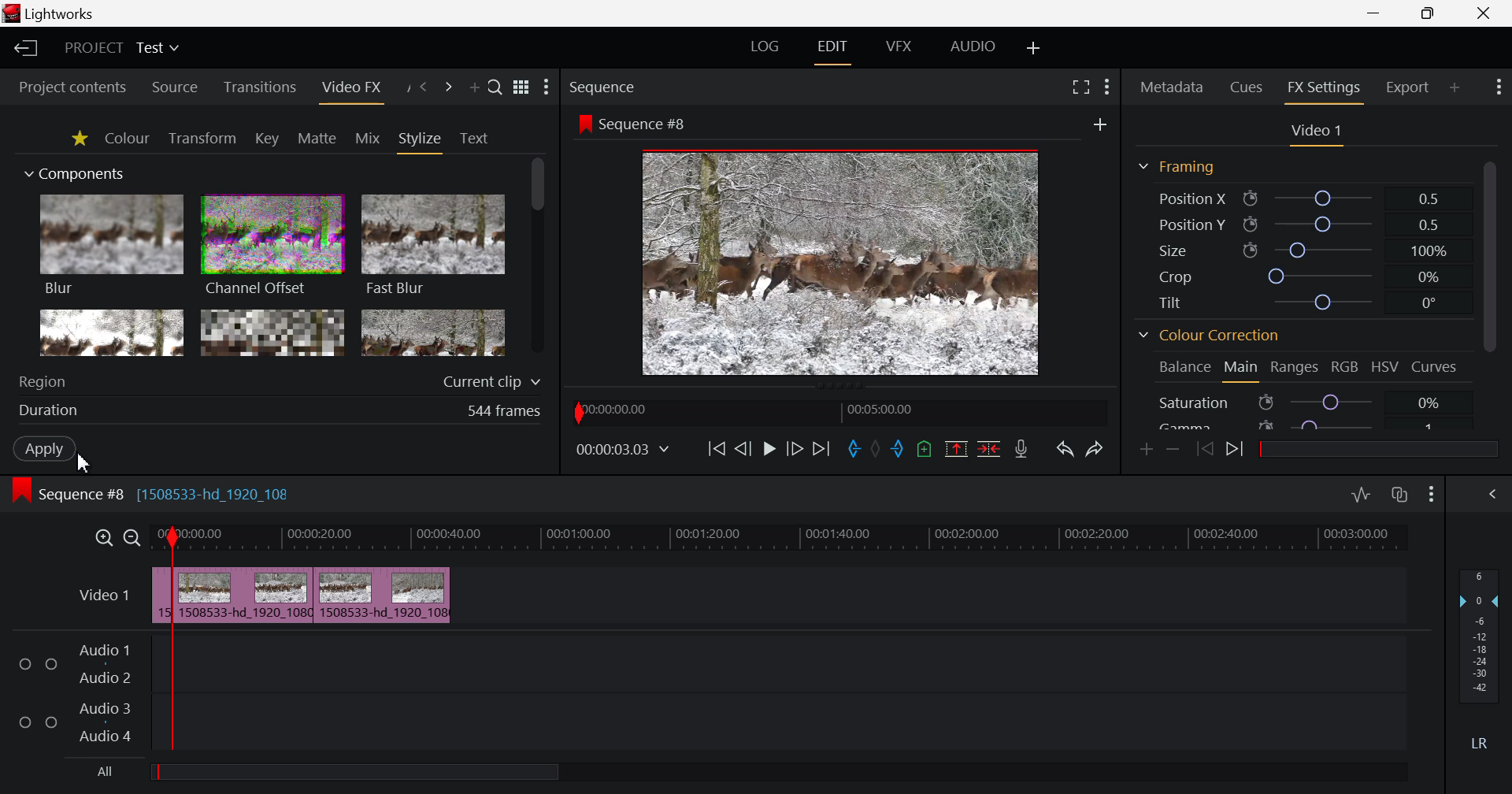  What do you see at coordinates (133, 538) in the screenshot?
I see `Timeline Zoom Out` at bounding box center [133, 538].